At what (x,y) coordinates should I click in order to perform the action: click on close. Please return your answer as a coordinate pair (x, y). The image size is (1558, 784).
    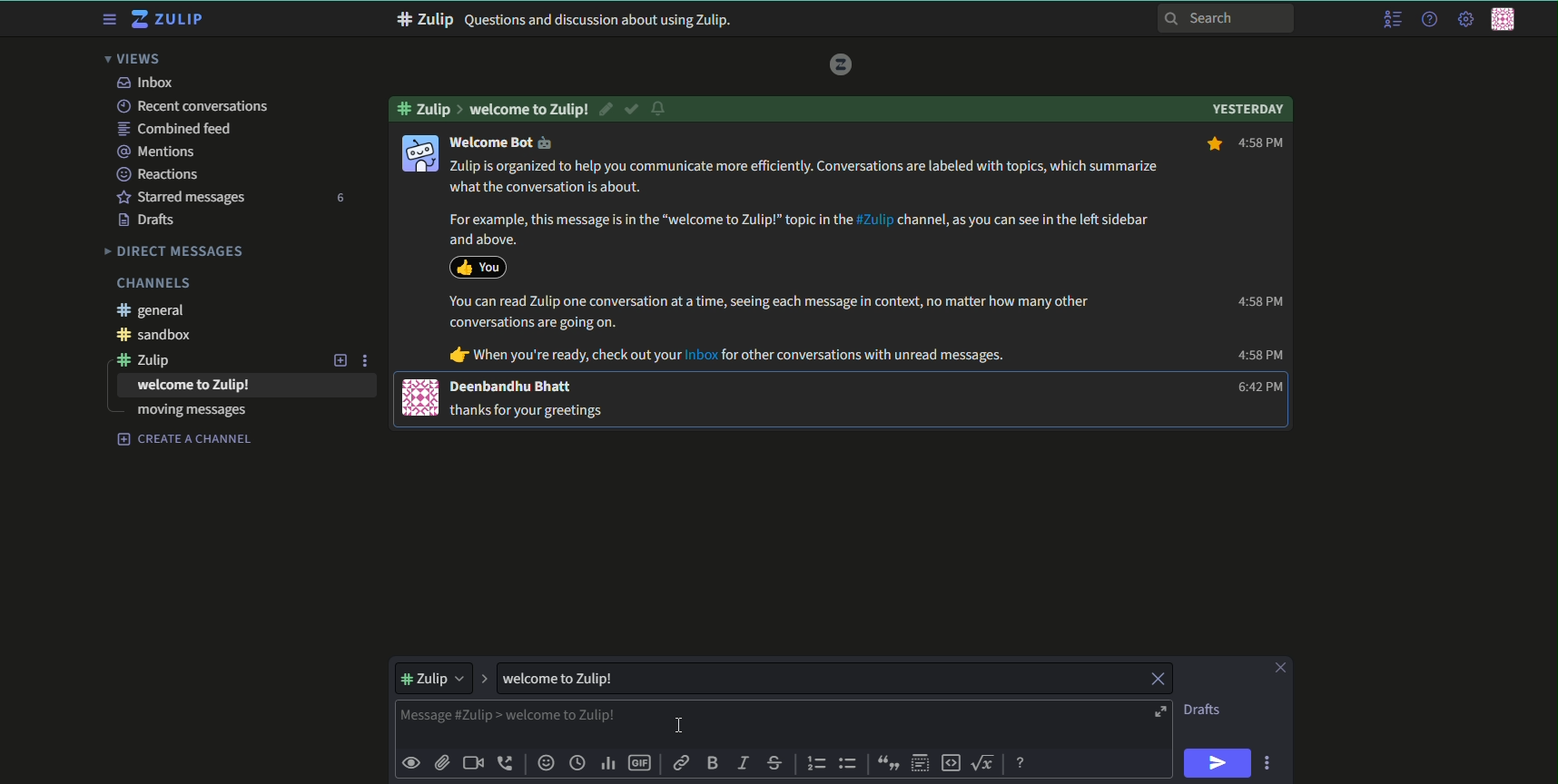
    Looking at the image, I should click on (1156, 680).